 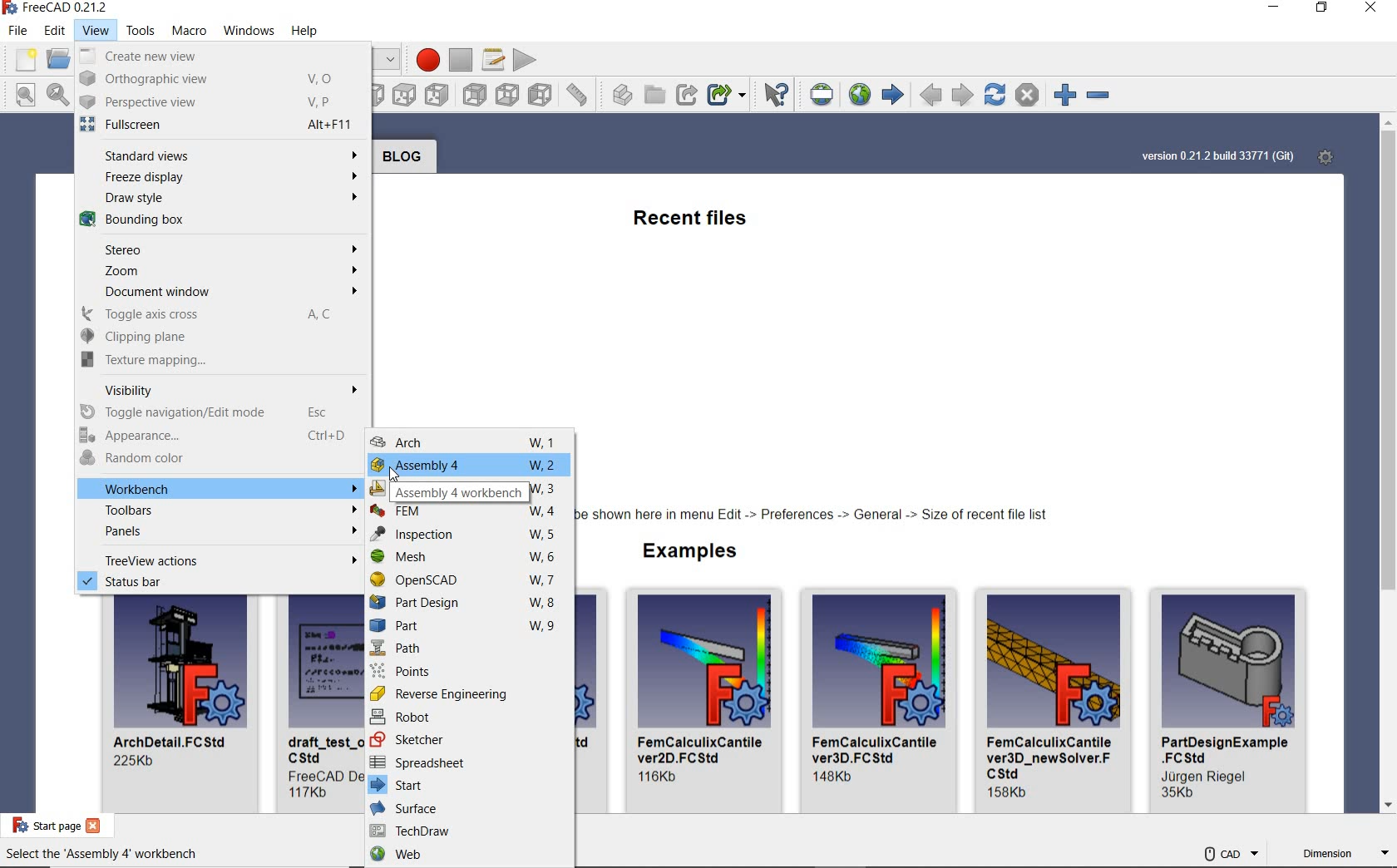 I want to click on FemCalculixCantile, so click(x=881, y=702).